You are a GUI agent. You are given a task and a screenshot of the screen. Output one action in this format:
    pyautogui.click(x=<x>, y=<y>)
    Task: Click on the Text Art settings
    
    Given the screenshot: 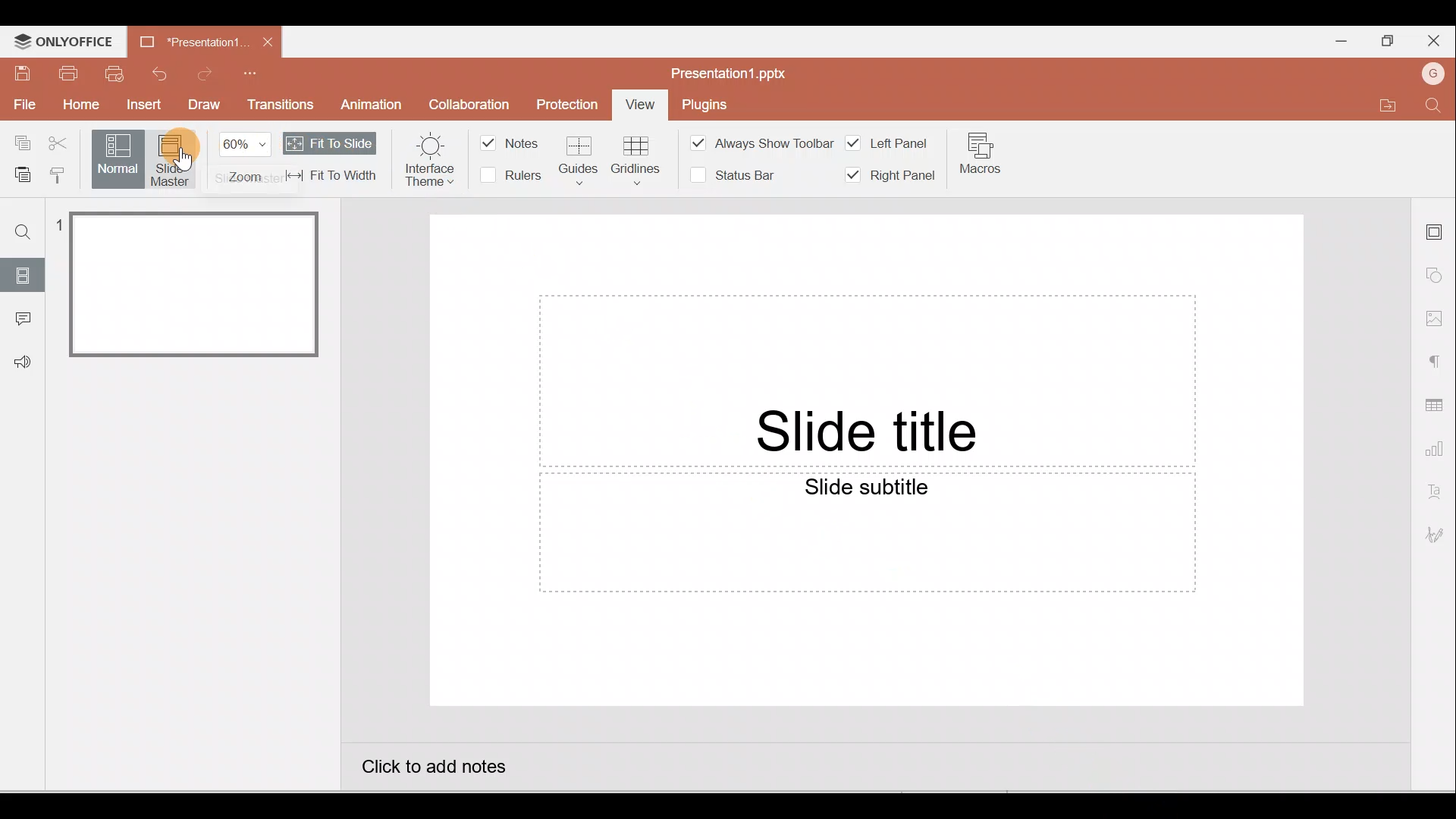 What is the action you would take?
    pyautogui.click(x=1437, y=493)
    